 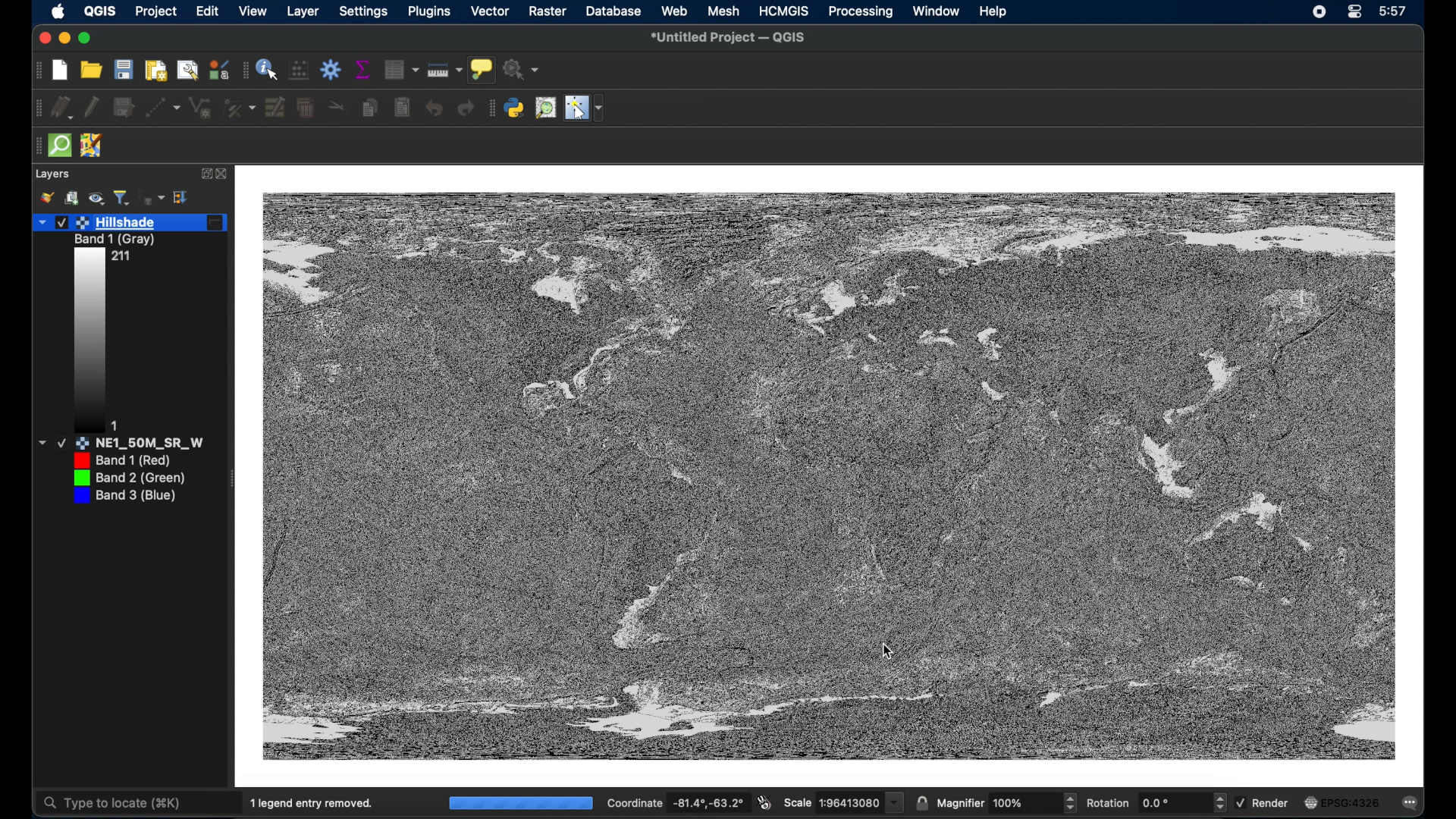 What do you see at coordinates (143, 257) in the screenshot?
I see `layer 3` at bounding box center [143, 257].